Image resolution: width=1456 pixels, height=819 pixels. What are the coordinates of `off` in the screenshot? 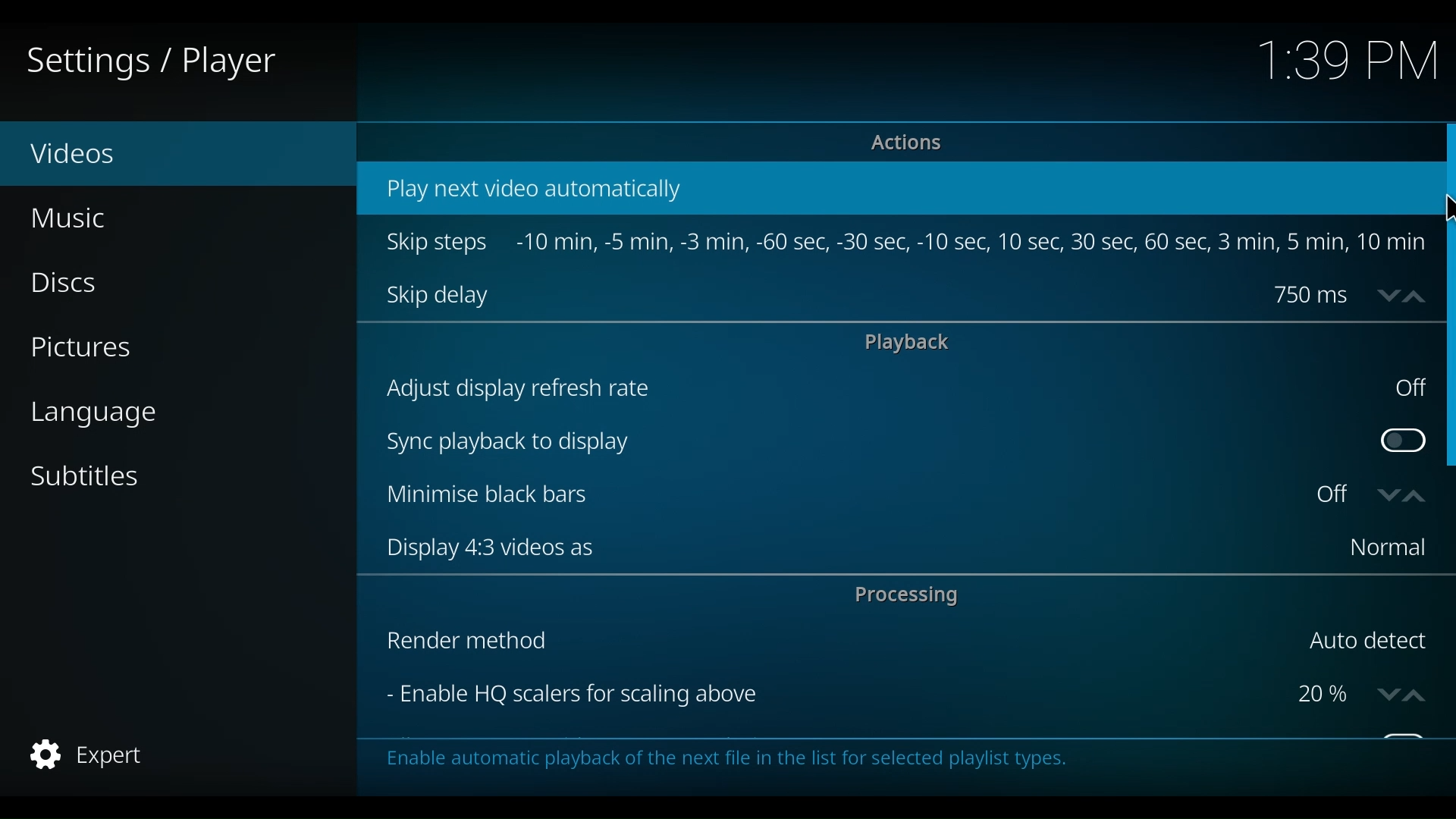 It's located at (1411, 392).